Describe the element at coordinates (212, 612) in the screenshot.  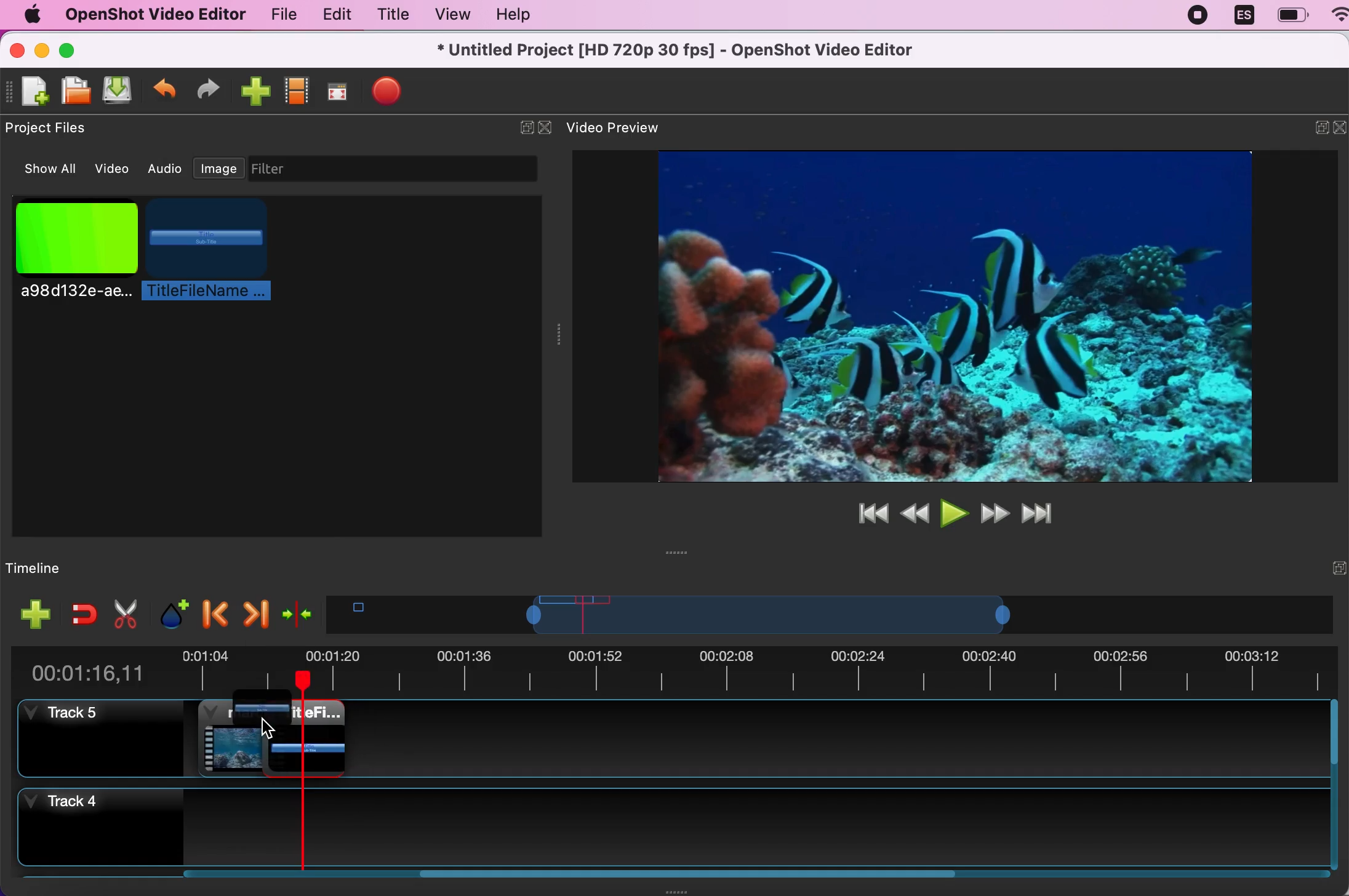
I see `previous marker` at that location.